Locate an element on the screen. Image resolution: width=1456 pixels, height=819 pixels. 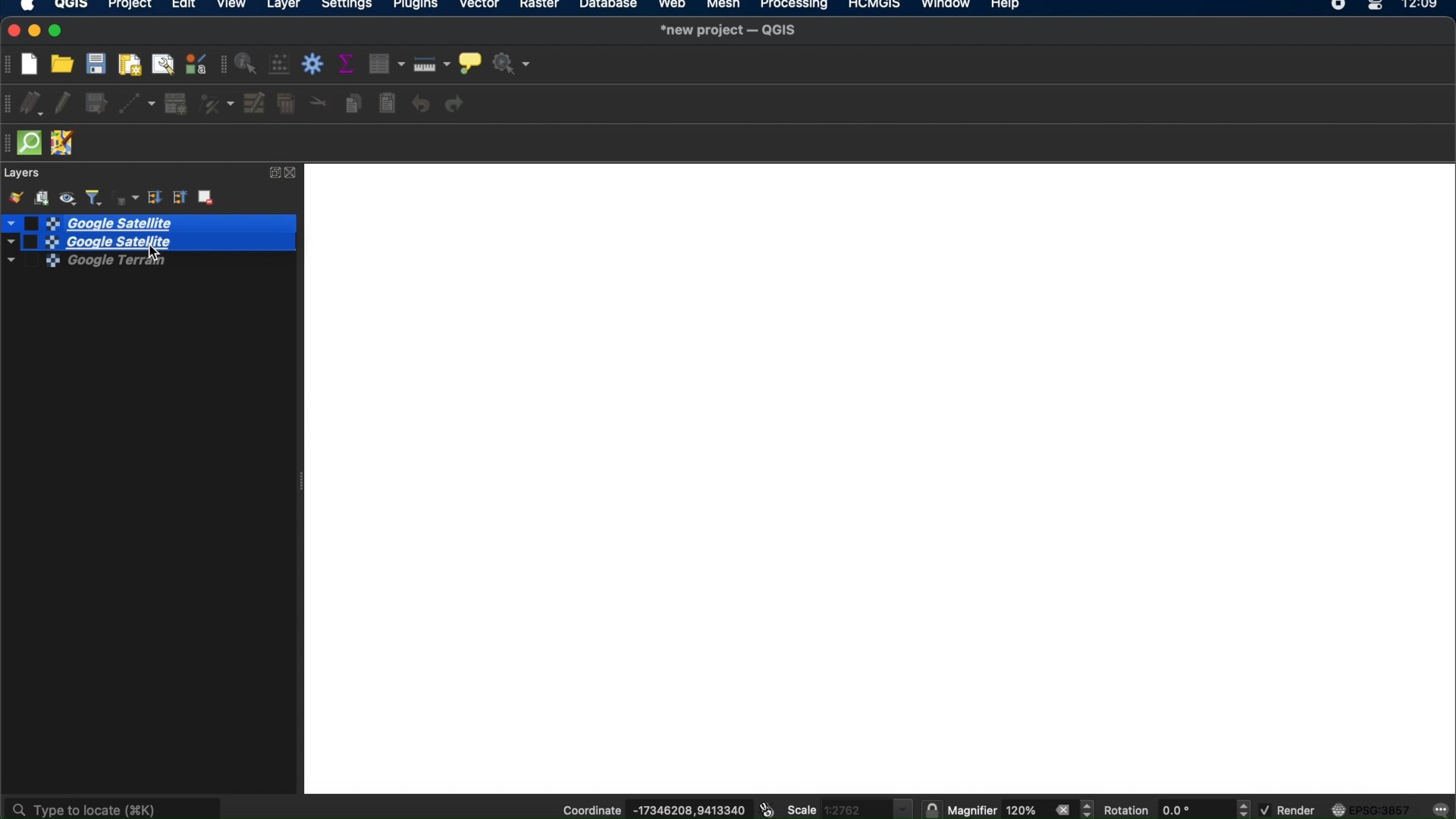
type to locate is located at coordinates (115, 806).